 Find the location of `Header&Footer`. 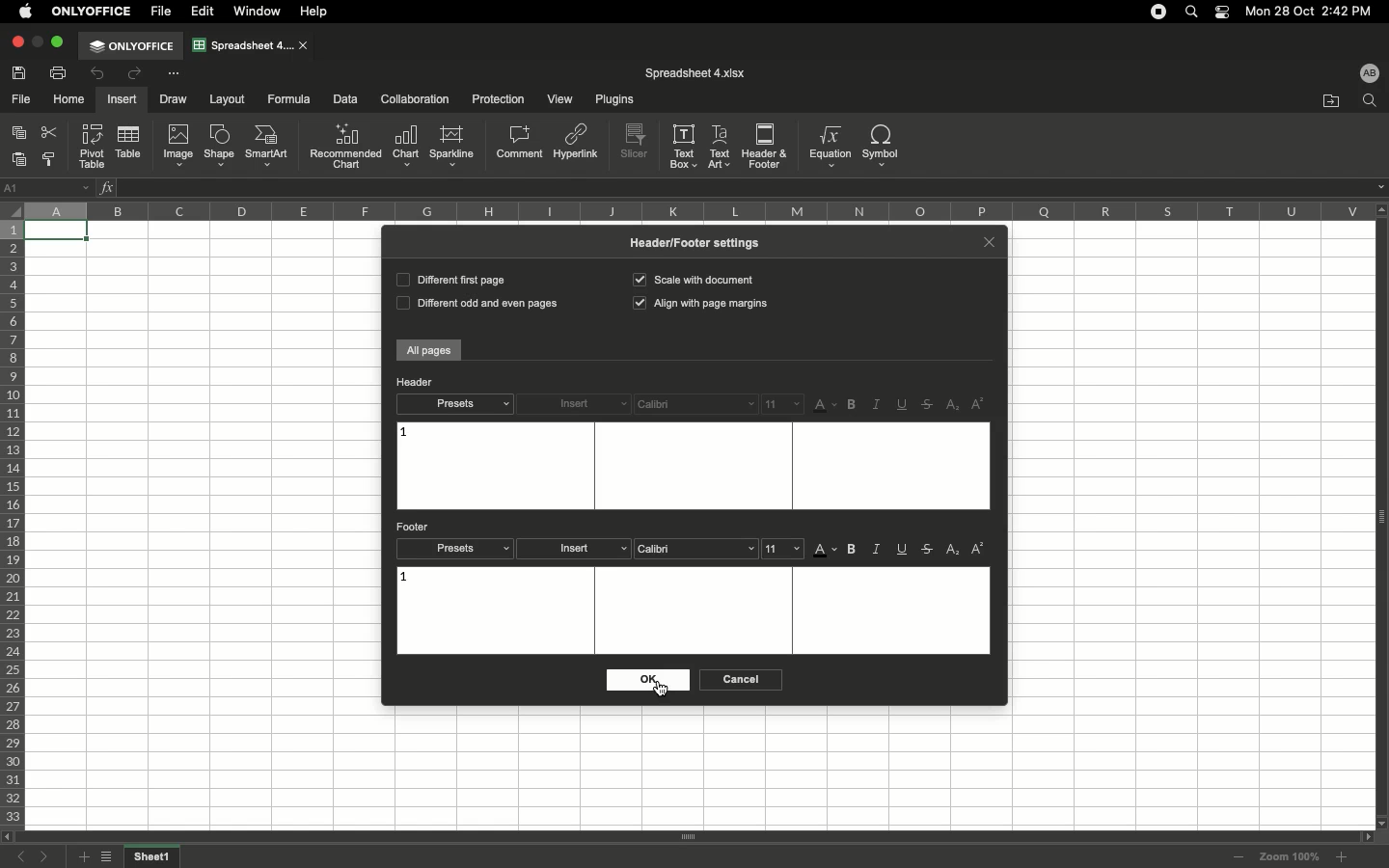

Header&Footer is located at coordinates (765, 145).